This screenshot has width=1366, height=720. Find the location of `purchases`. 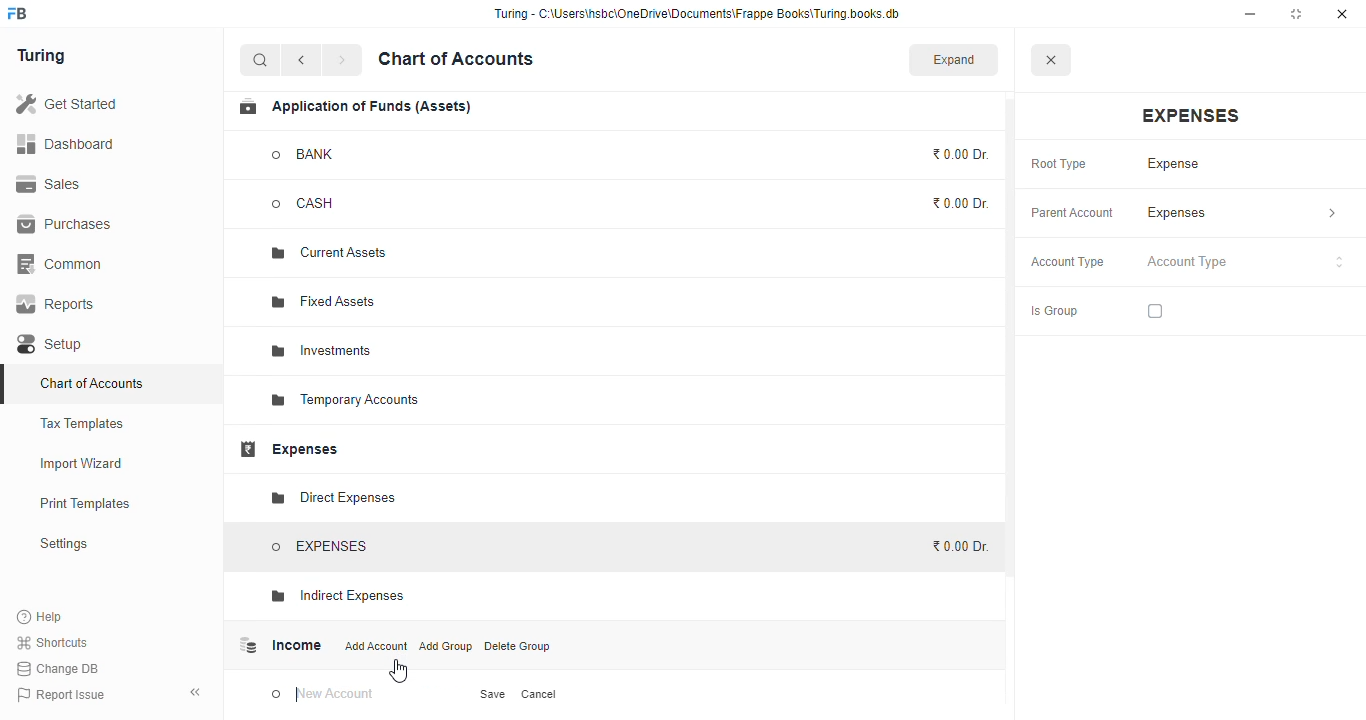

purchases is located at coordinates (67, 225).